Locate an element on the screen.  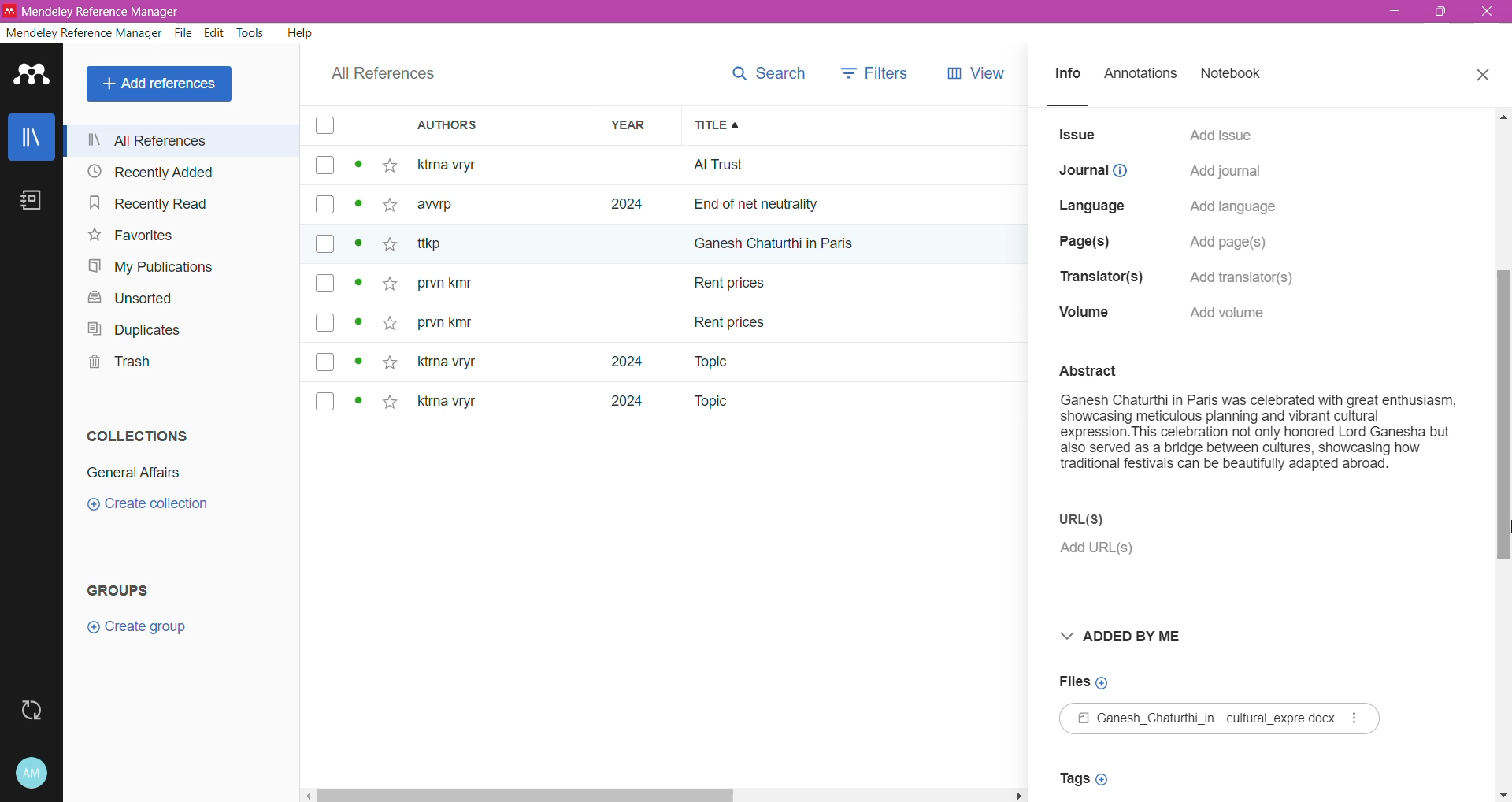
Application Name is located at coordinates (94, 11).